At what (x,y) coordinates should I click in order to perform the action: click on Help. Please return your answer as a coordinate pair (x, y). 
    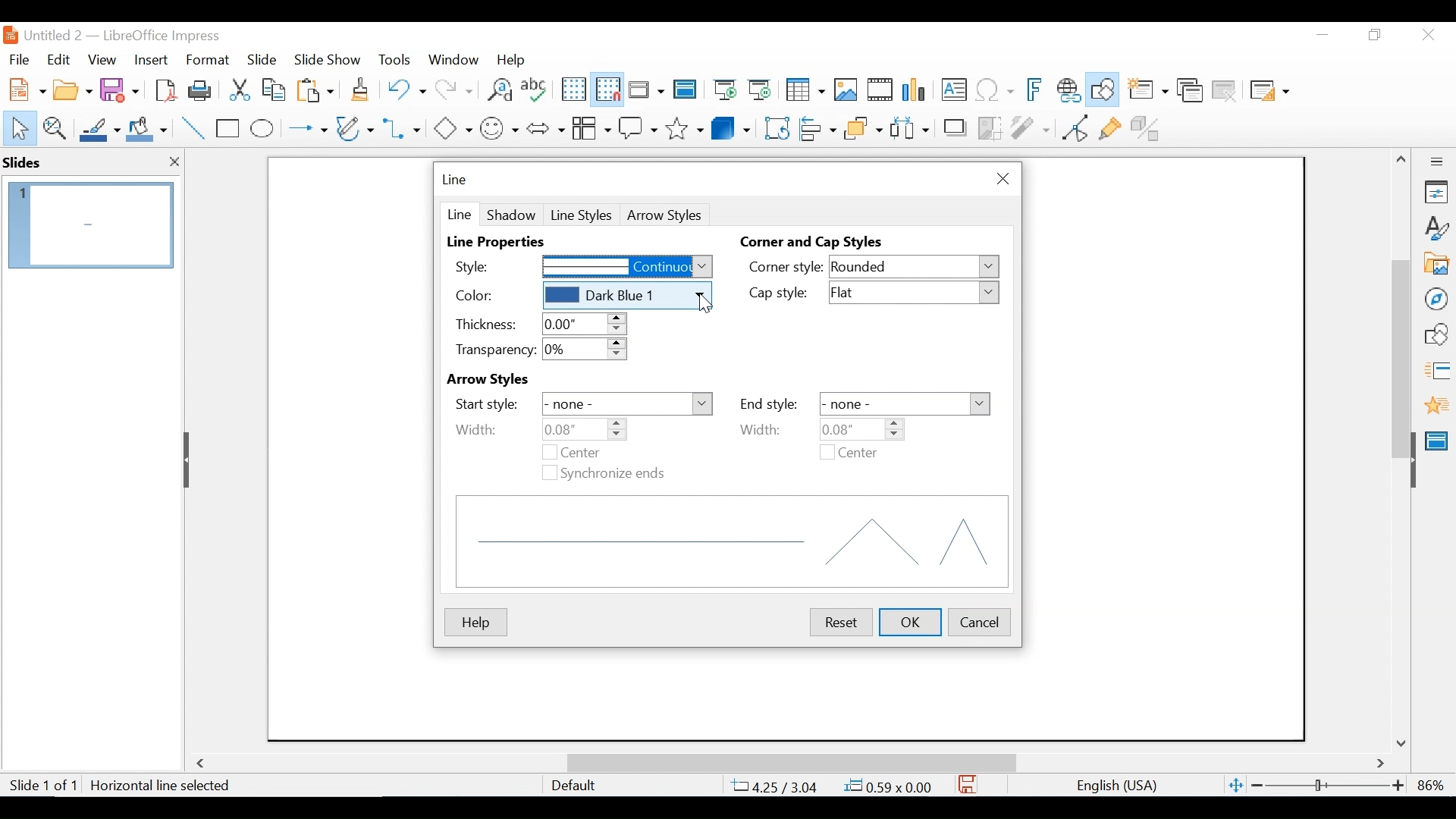
    Looking at the image, I should click on (475, 623).